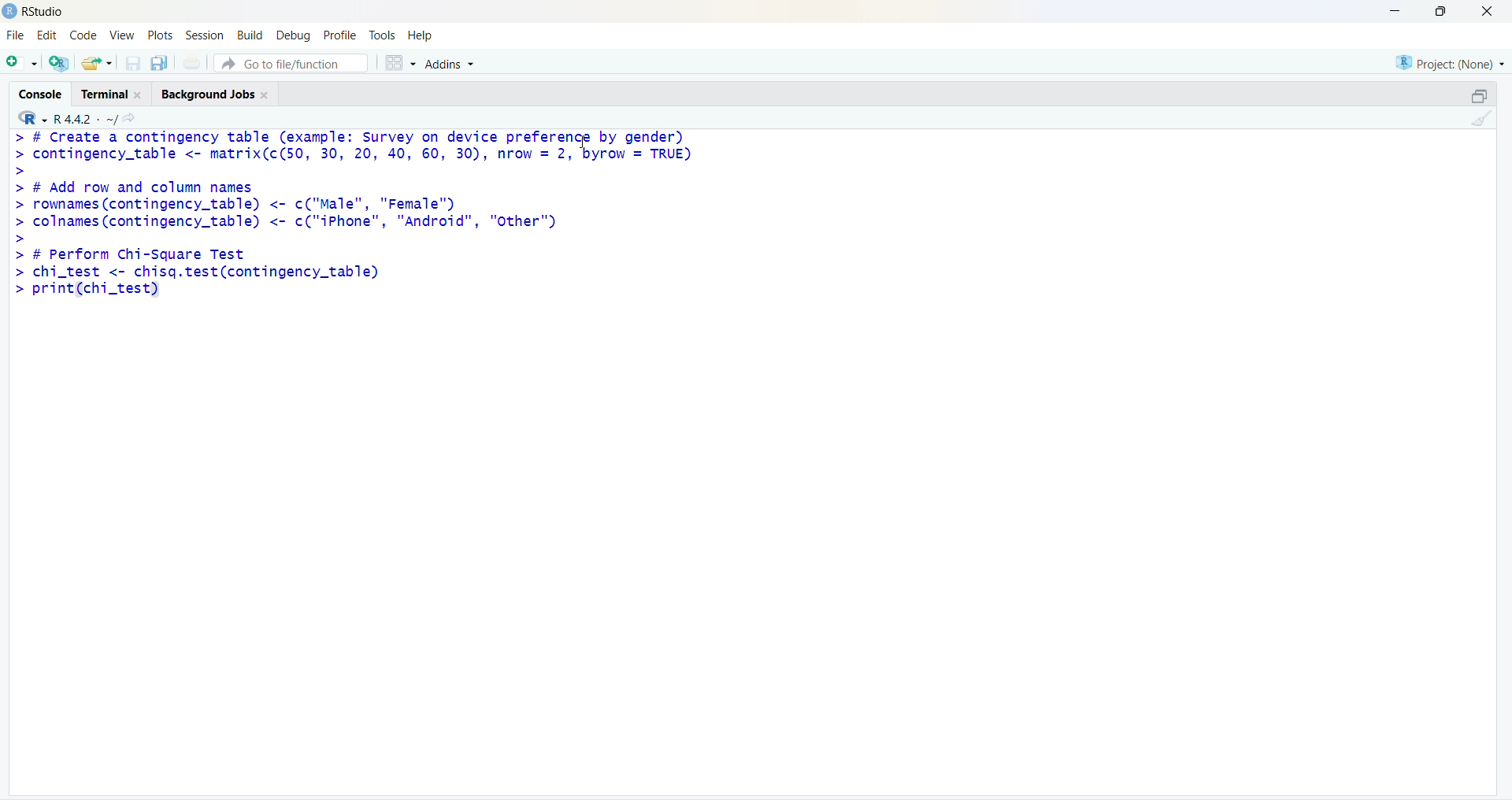 The image size is (1512, 800). Describe the element at coordinates (42, 94) in the screenshot. I see `console` at that location.